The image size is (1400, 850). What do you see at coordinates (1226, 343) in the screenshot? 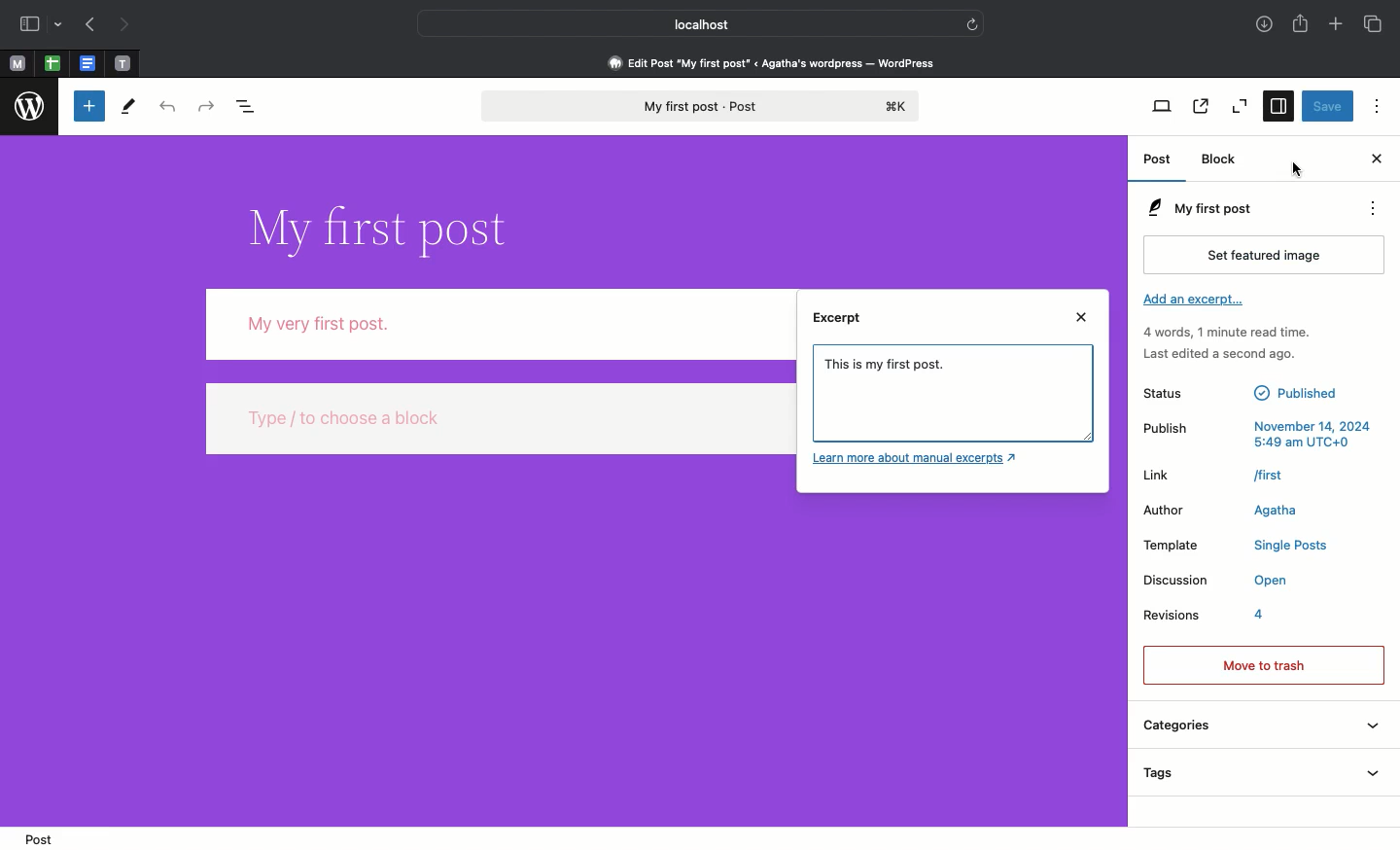
I see `Activity` at bounding box center [1226, 343].